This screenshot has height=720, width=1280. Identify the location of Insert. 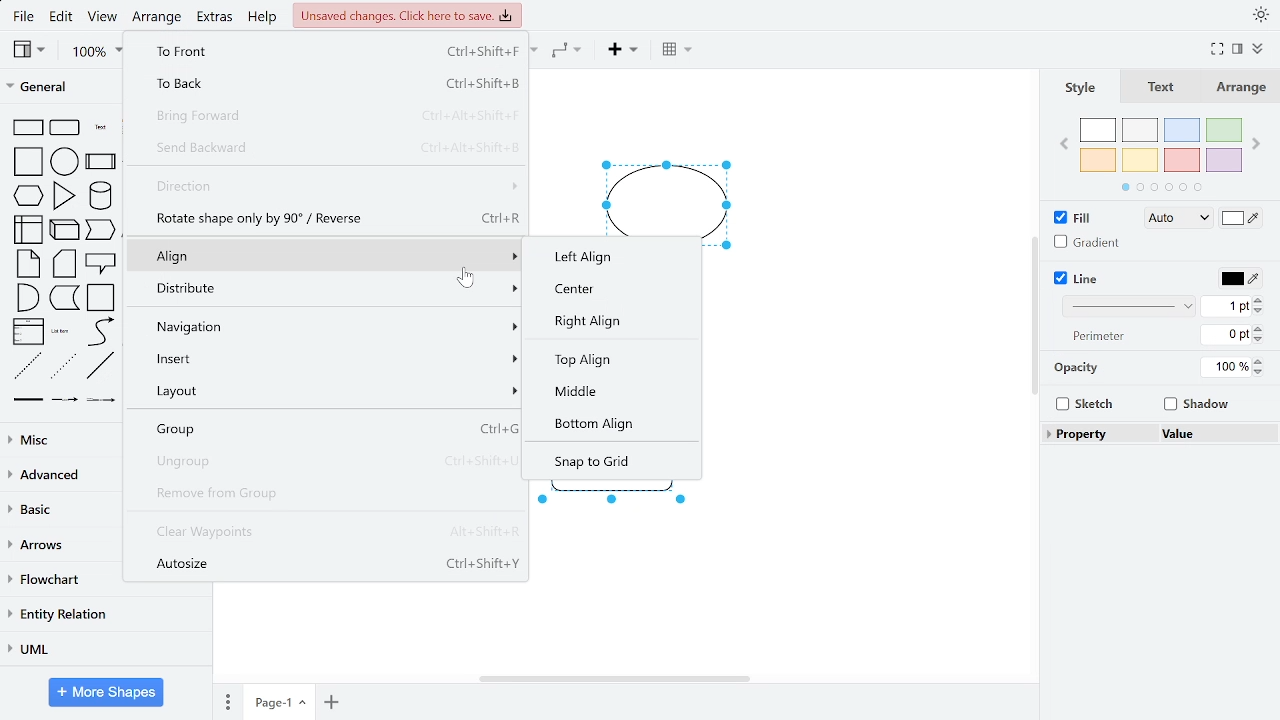
(324, 356).